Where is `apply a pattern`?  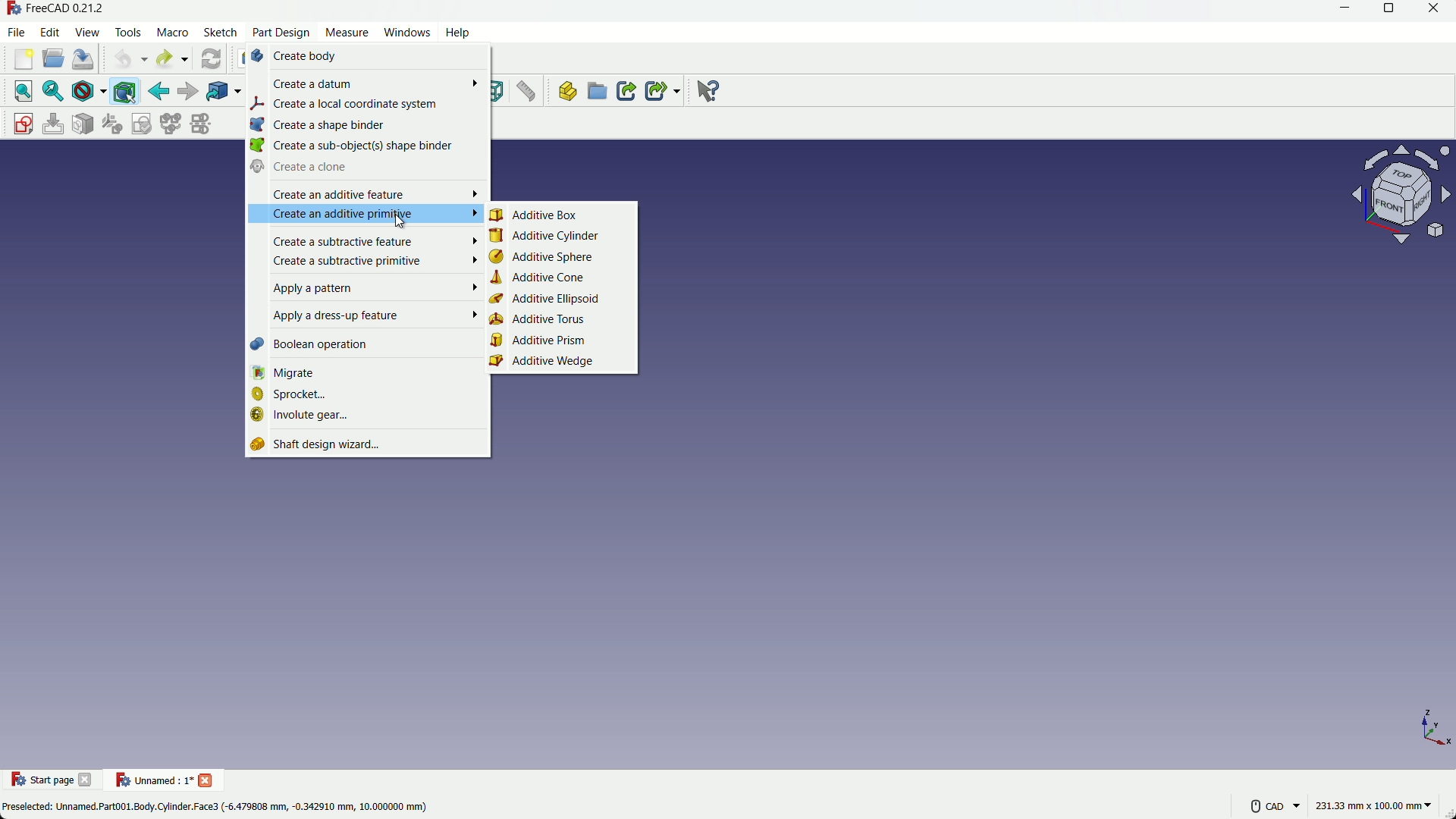 apply a pattern is located at coordinates (363, 290).